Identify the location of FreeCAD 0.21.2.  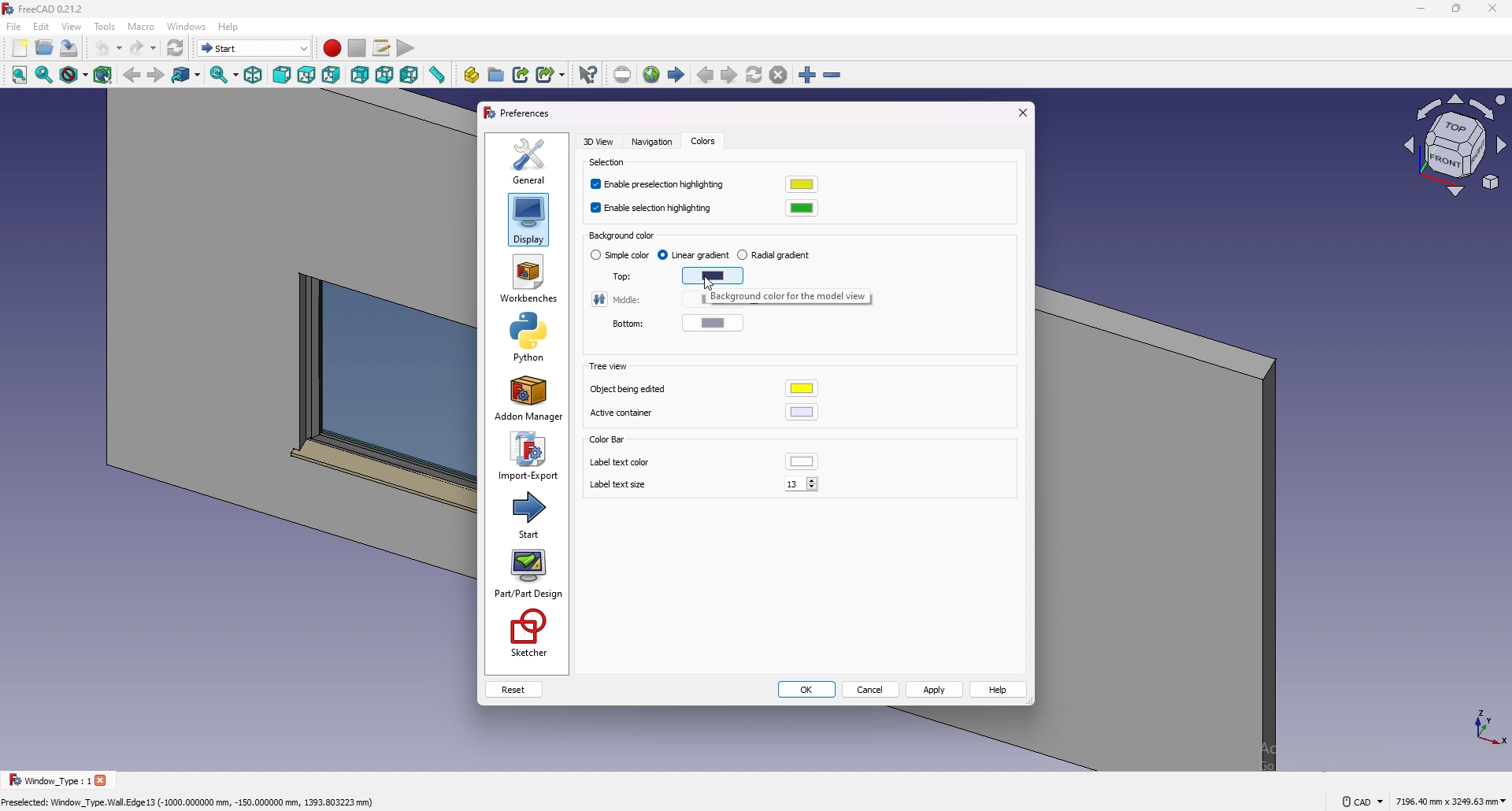
(55, 9).